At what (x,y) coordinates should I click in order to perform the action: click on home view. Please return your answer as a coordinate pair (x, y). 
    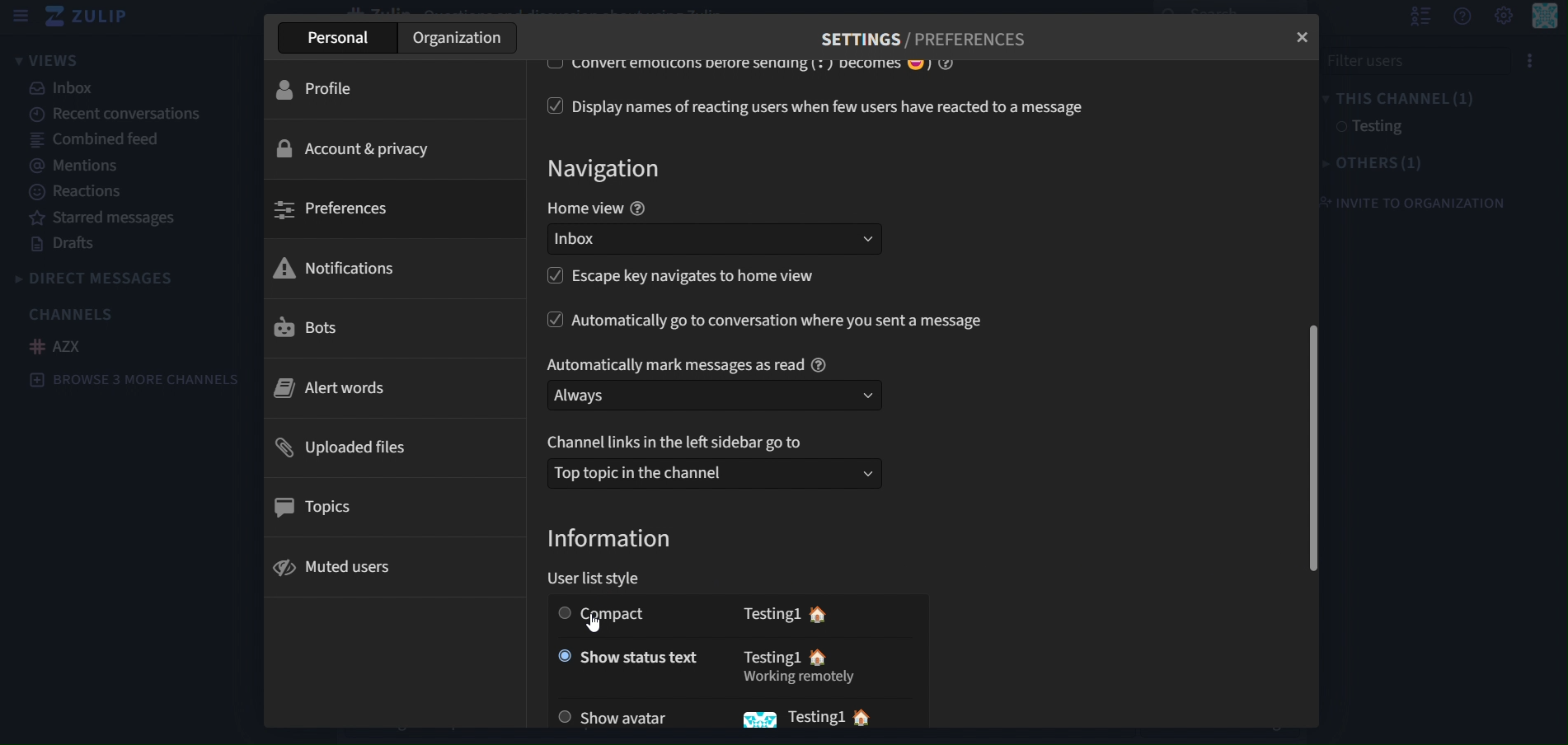
    Looking at the image, I should click on (596, 209).